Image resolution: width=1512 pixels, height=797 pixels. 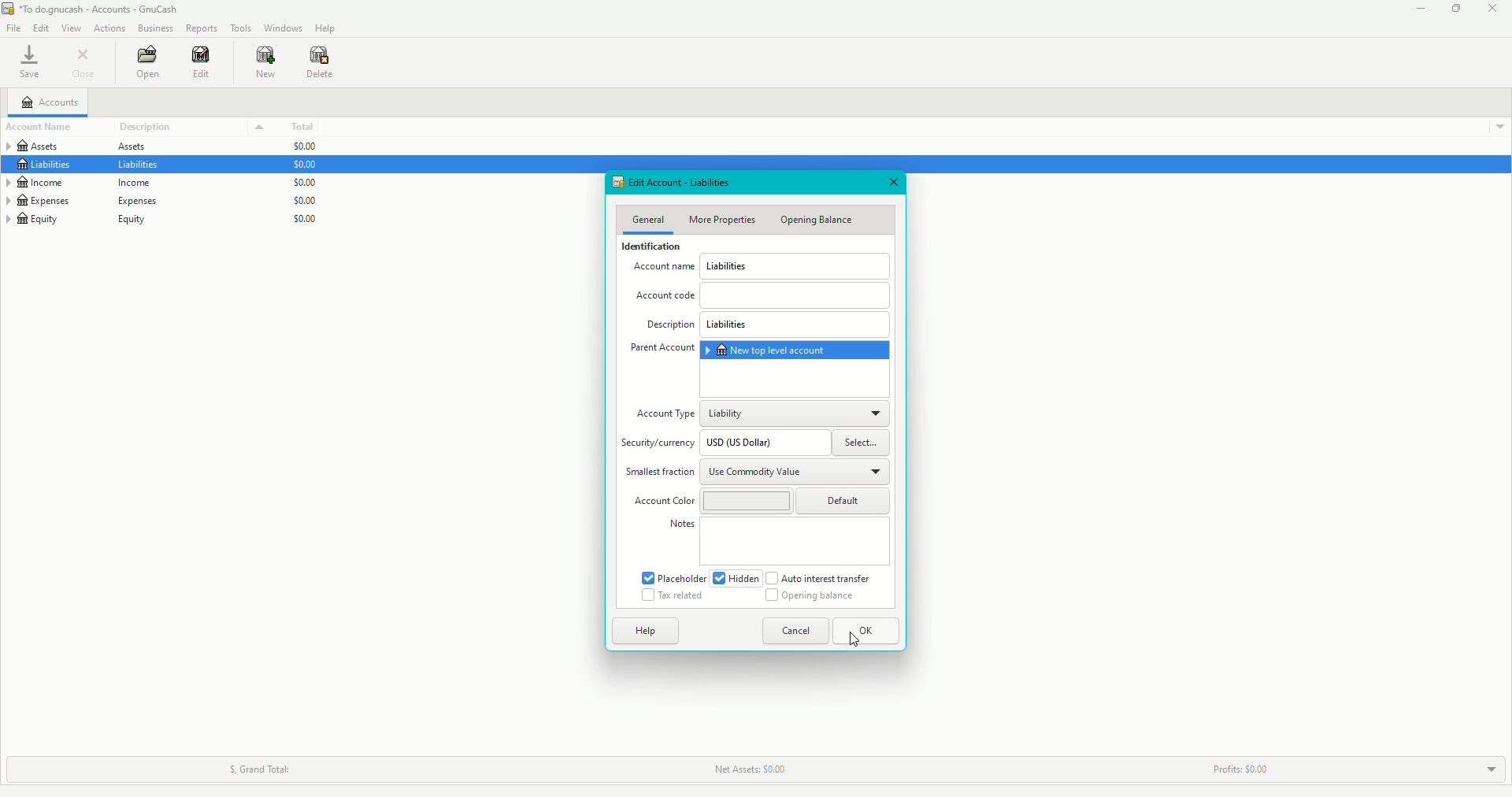 What do you see at coordinates (763, 443) in the screenshot?
I see `USD` at bounding box center [763, 443].